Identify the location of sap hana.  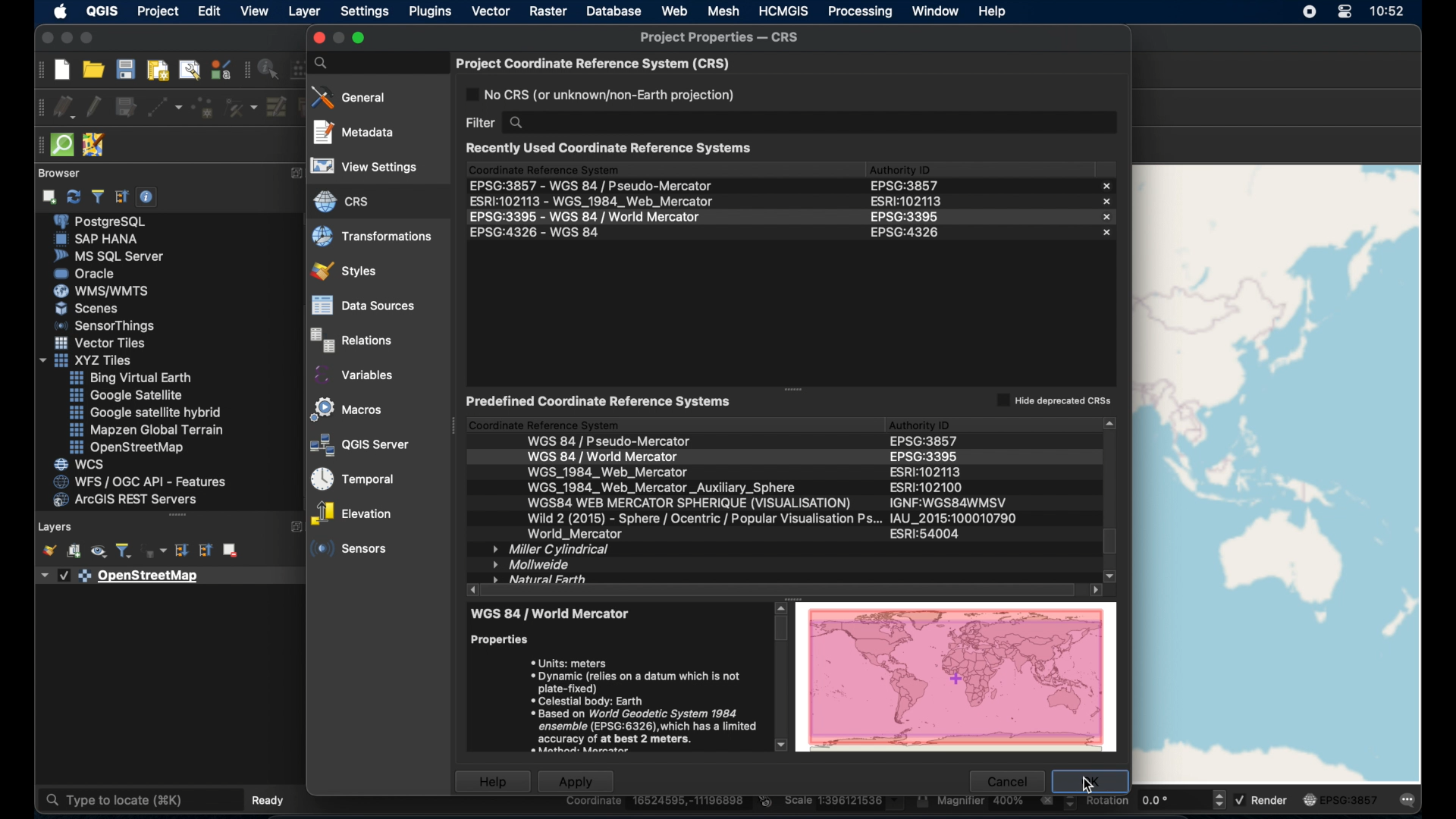
(97, 240).